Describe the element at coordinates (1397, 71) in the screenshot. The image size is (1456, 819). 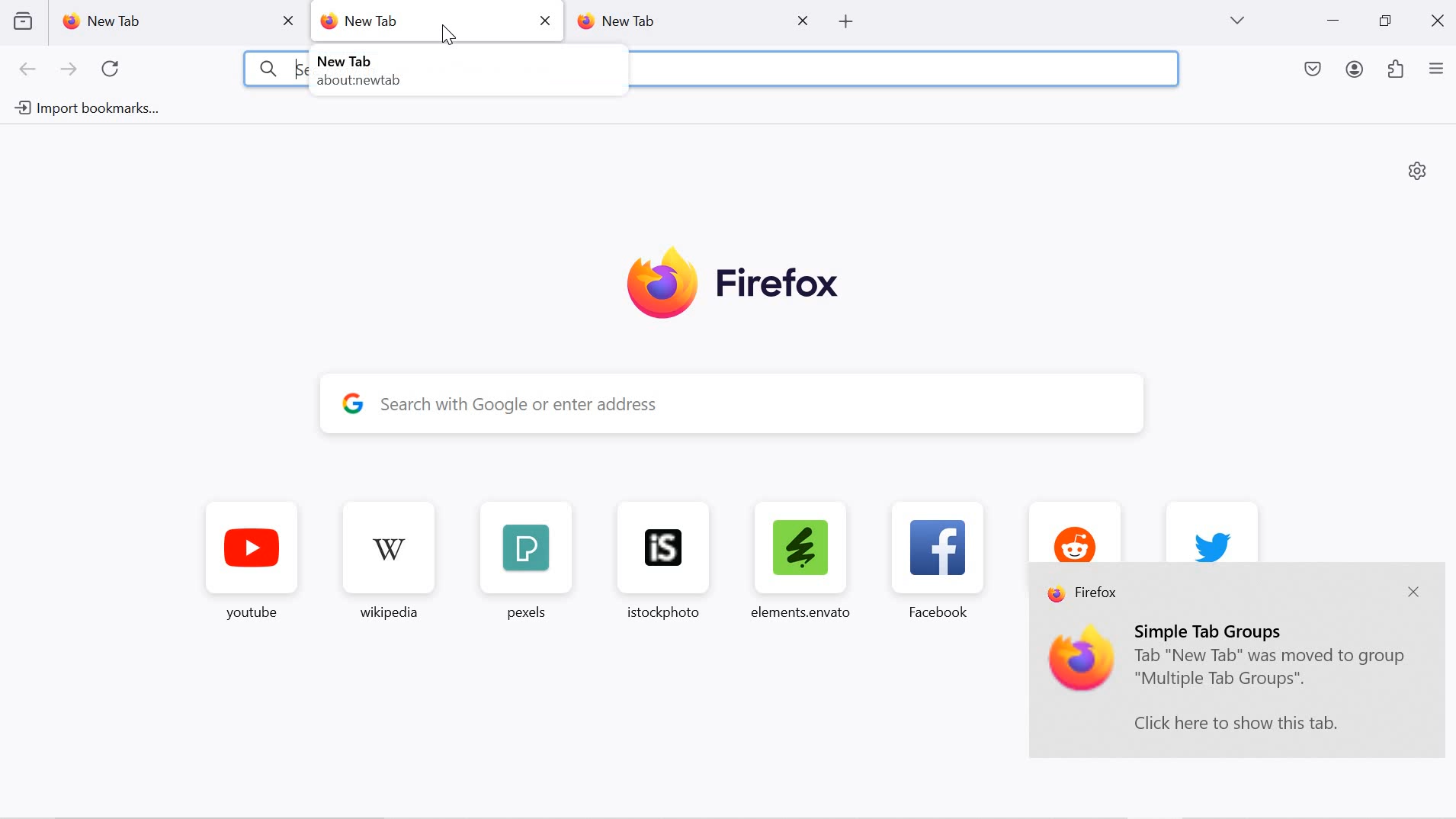
I see `extensions` at that location.